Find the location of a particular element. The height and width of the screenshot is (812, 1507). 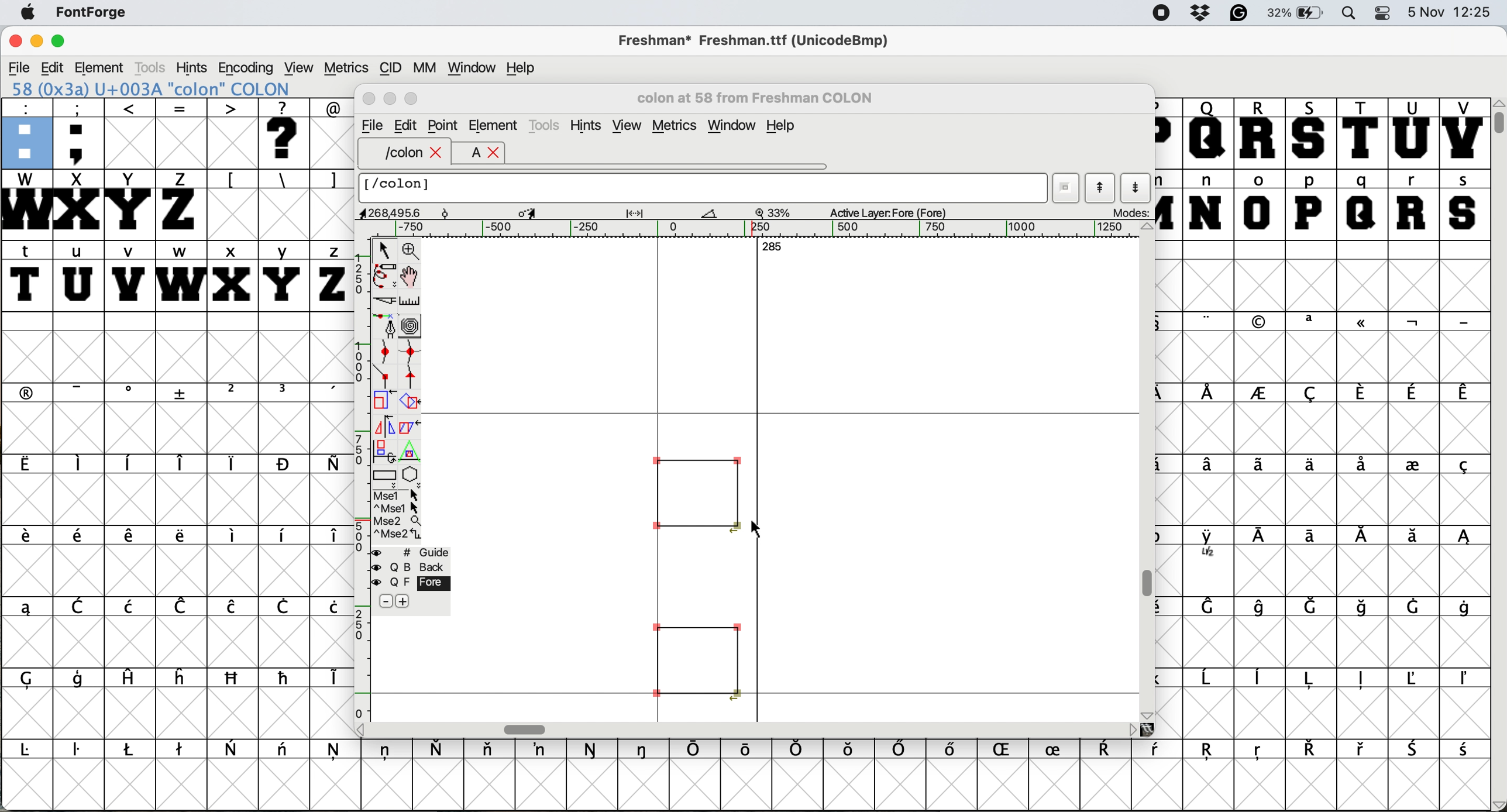

z is located at coordinates (329, 276).